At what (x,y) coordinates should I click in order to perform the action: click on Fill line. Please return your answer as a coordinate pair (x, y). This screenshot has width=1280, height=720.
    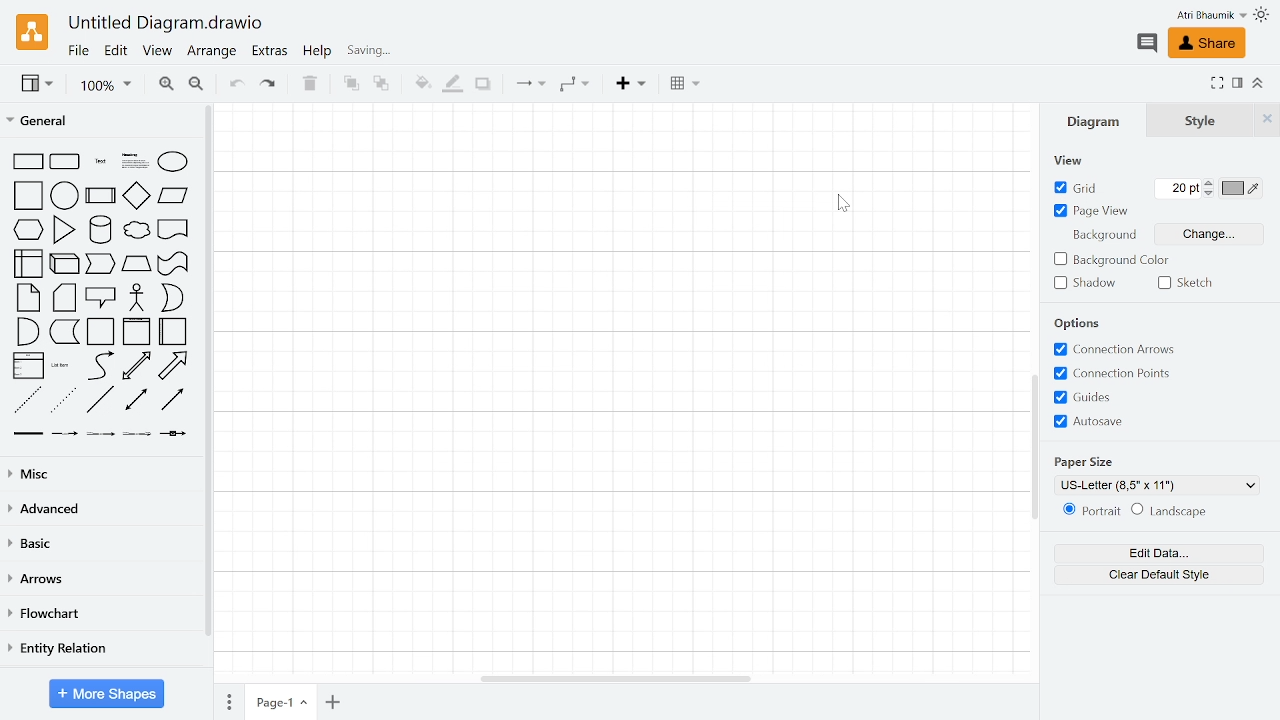
    Looking at the image, I should click on (452, 85).